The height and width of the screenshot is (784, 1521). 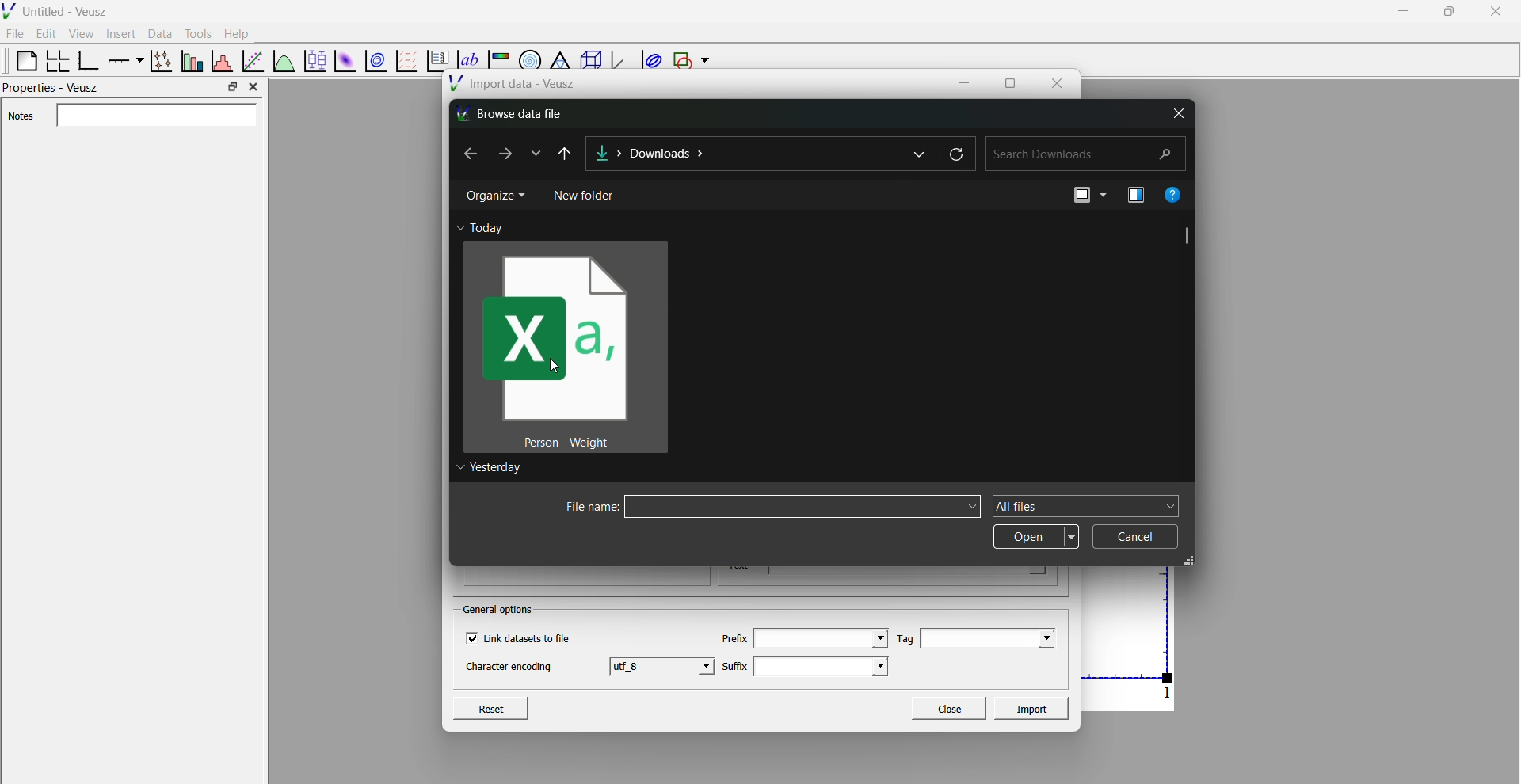 I want to click on dropdown, so click(x=537, y=154).